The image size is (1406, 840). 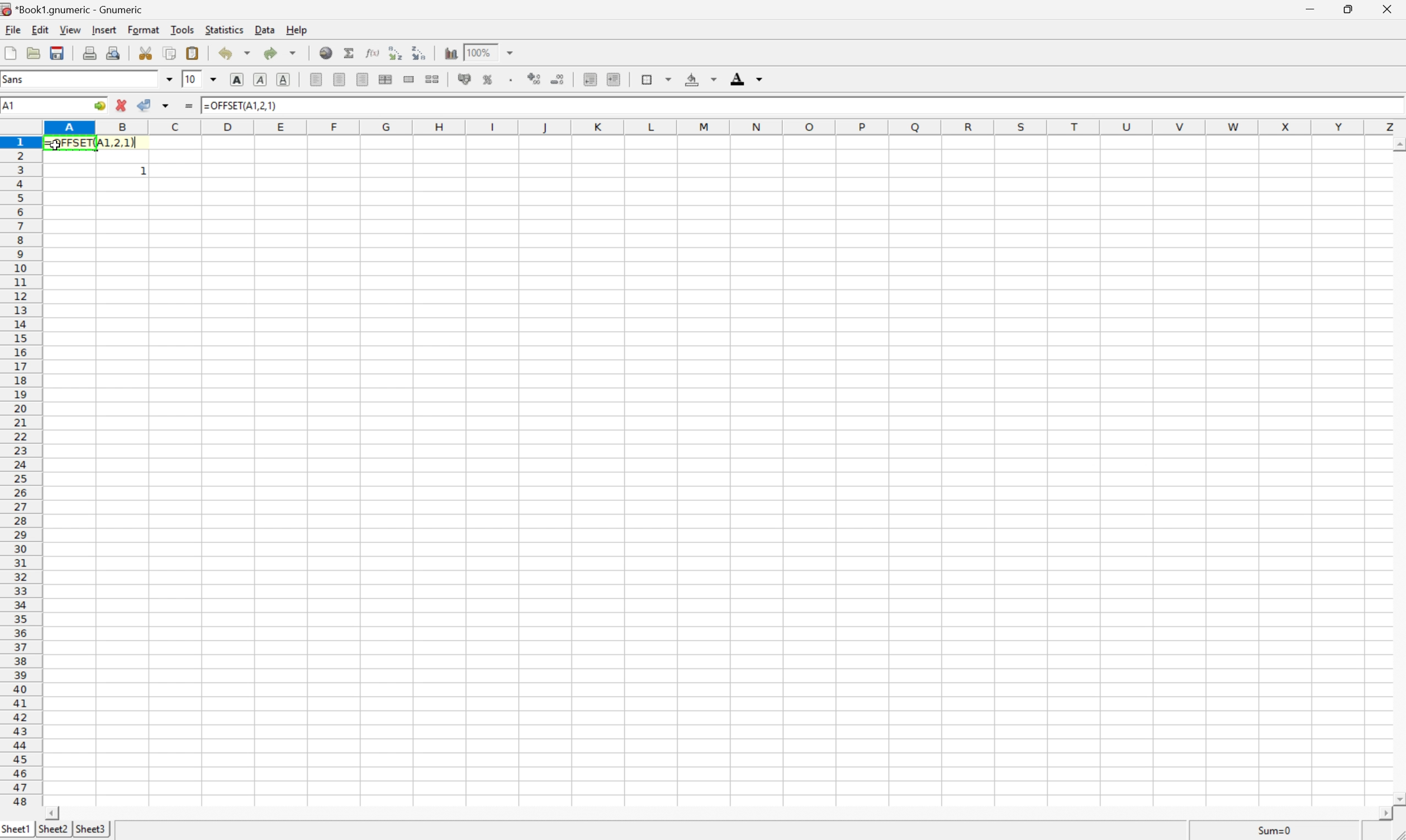 What do you see at coordinates (372, 53) in the screenshot?
I see `edit function in current cell` at bounding box center [372, 53].